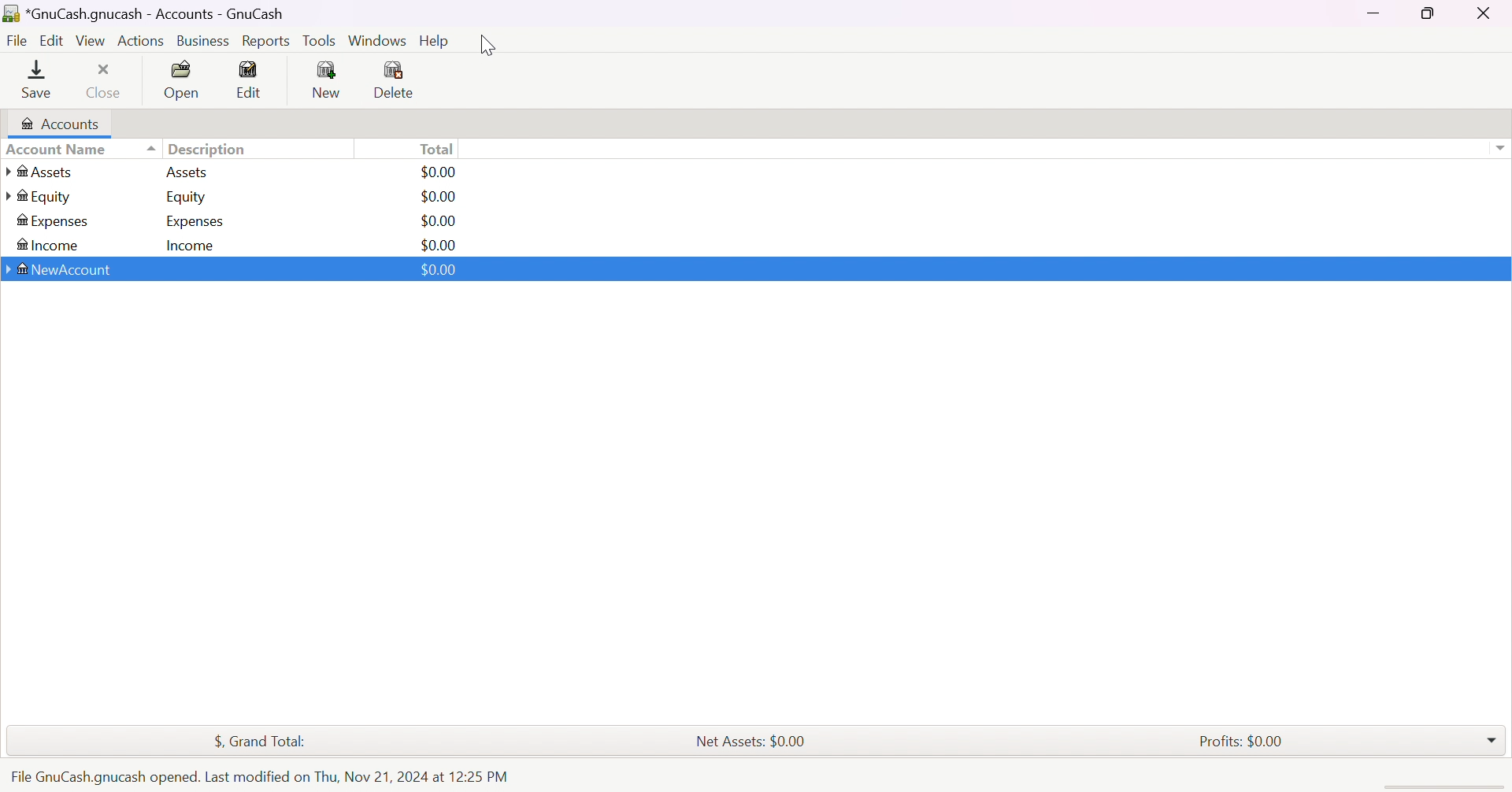 The width and height of the screenshot is (1512, 792). What do you see at coordinates (321, 41) in the screenshot?
I see `Tools` at bounding box center [321, 41].